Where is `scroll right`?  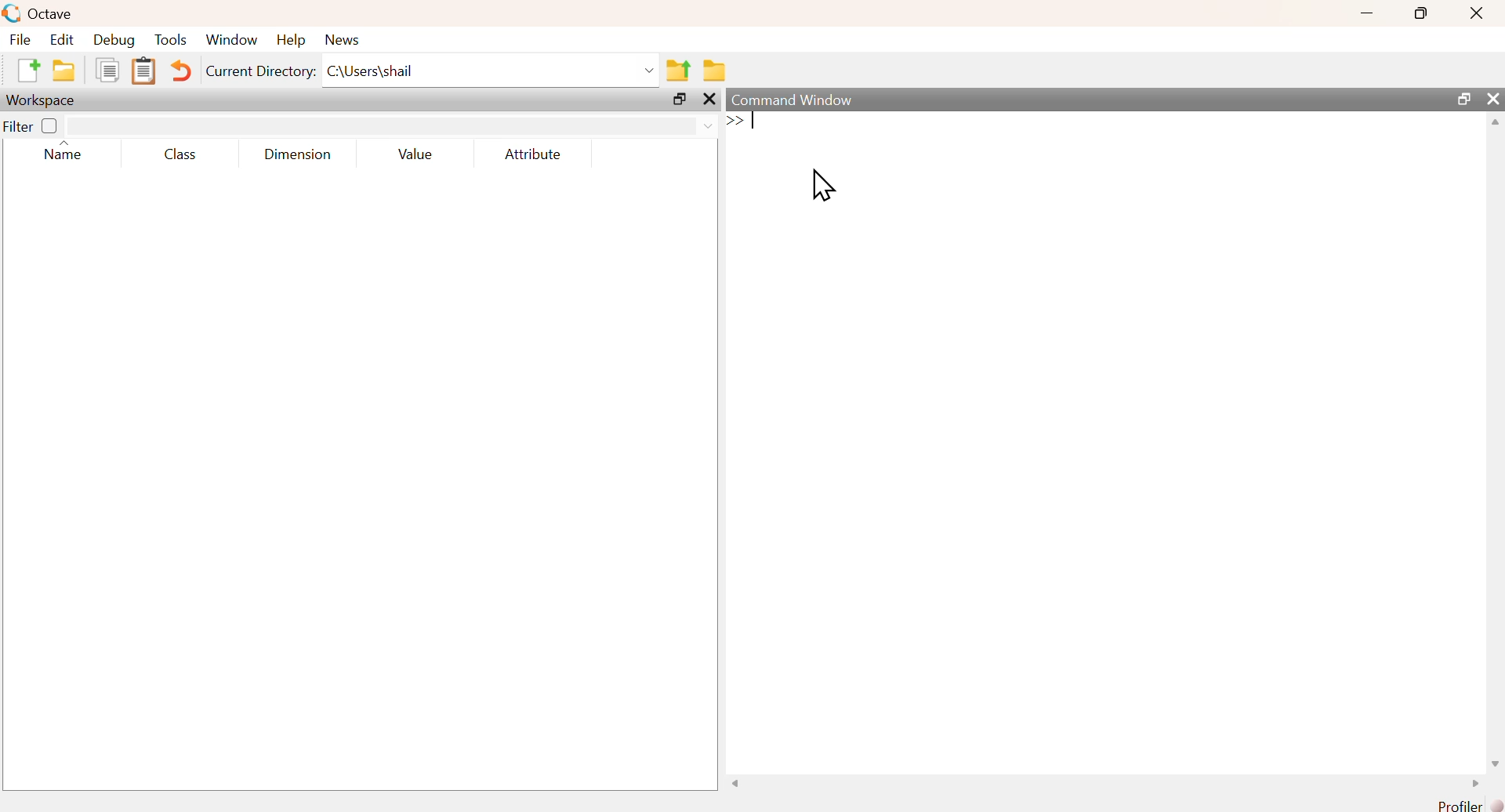
scroll right is located at coordinates (1475, 782).